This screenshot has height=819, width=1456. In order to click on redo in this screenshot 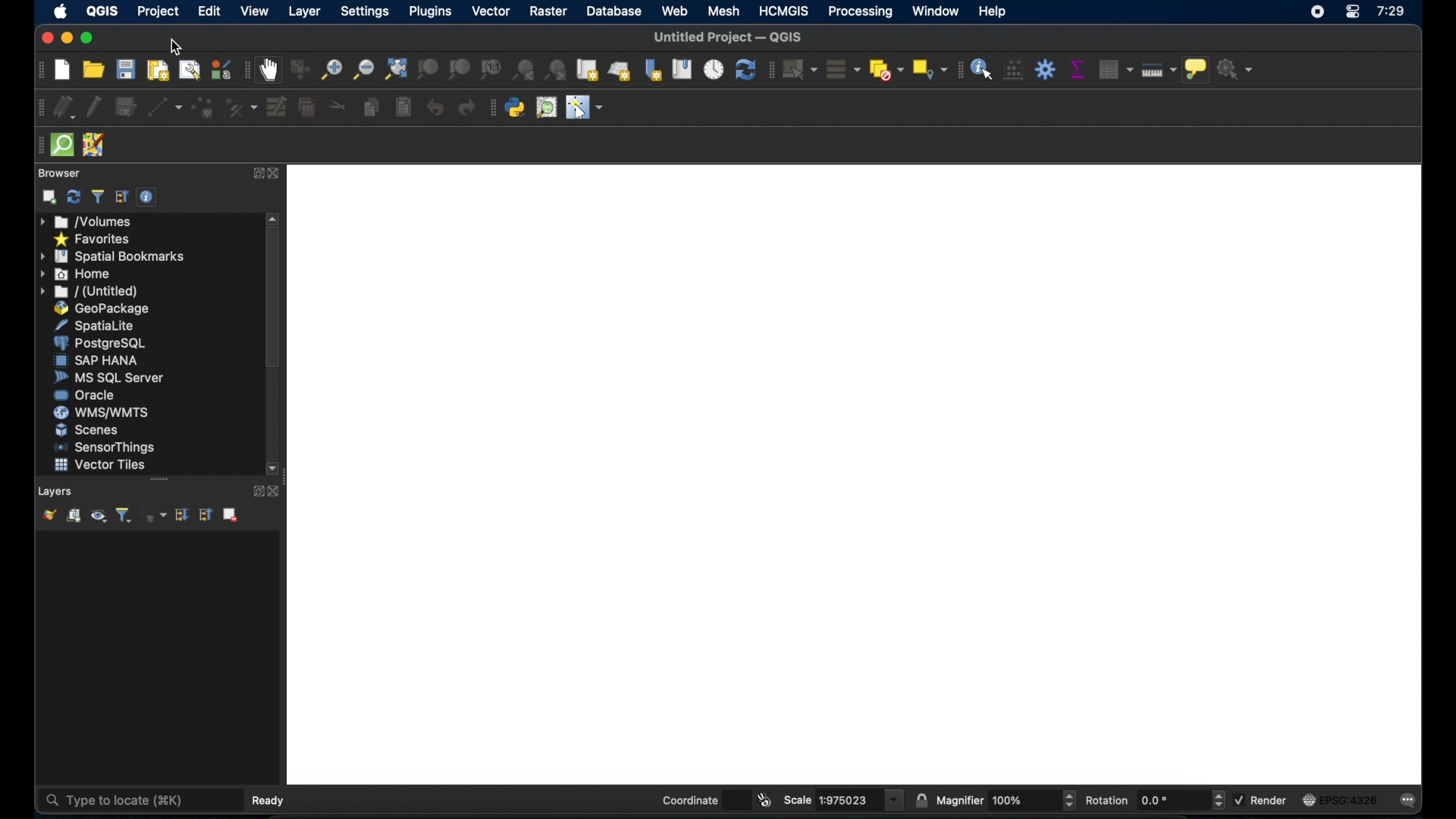, I will do `click(466, 108)`.